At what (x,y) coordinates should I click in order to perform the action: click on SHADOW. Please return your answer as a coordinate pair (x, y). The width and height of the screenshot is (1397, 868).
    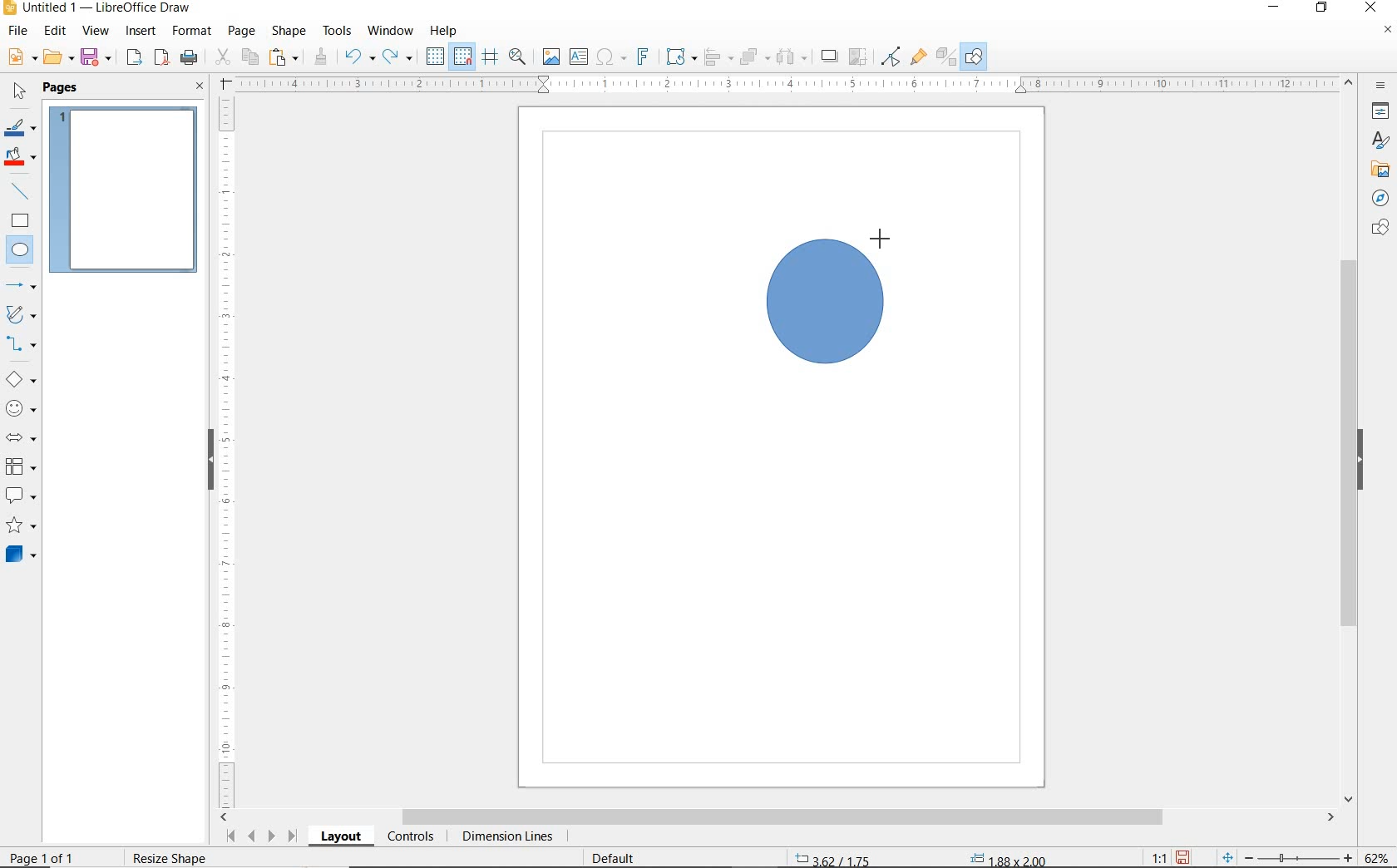
    Looking at the image, I should click on (830, 58).